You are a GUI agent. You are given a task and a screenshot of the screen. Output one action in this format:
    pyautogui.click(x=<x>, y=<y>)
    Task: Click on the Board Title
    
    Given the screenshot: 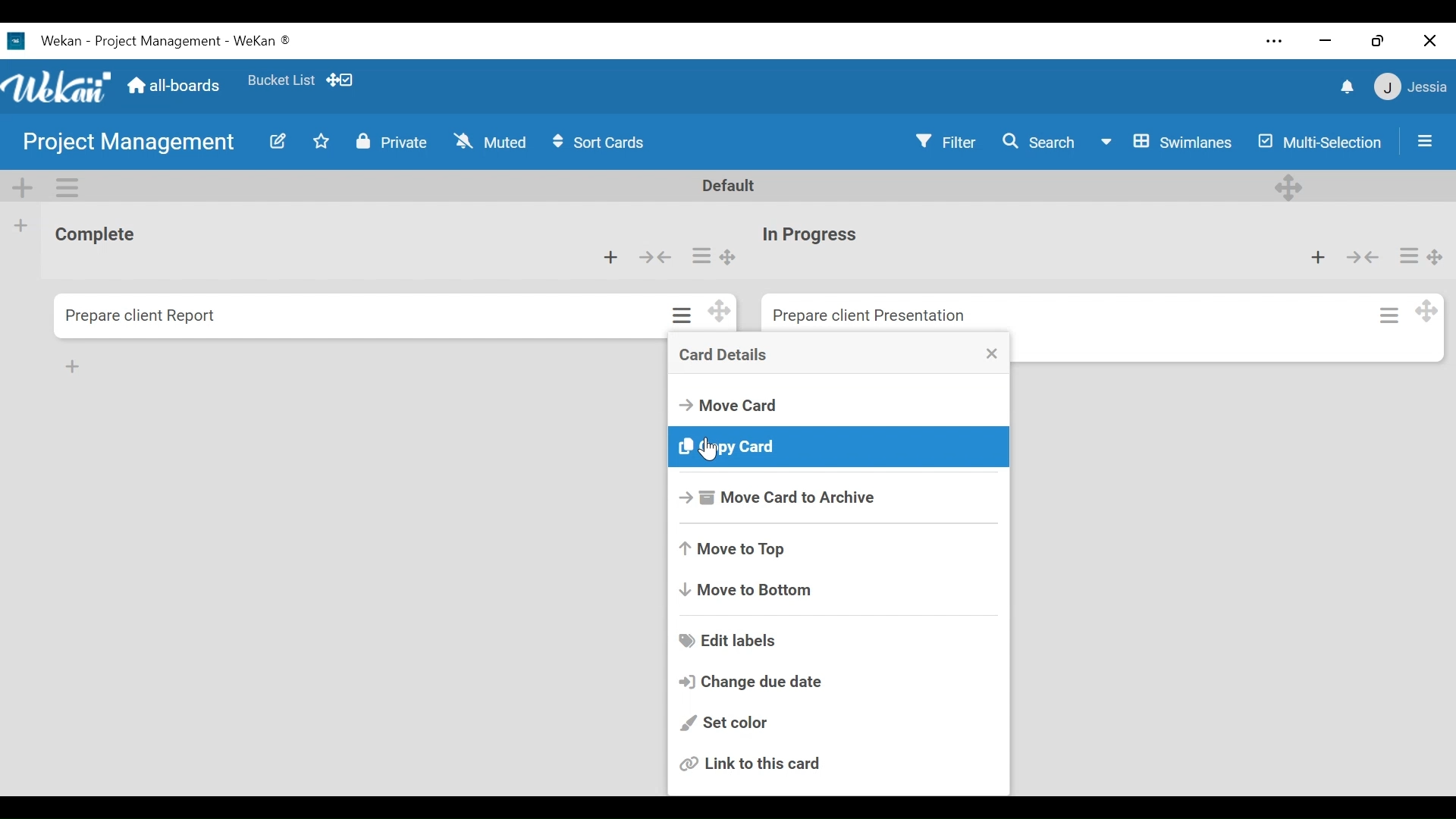 What is the action you would take?
    pyautogui.click(x=127, y=143)
    